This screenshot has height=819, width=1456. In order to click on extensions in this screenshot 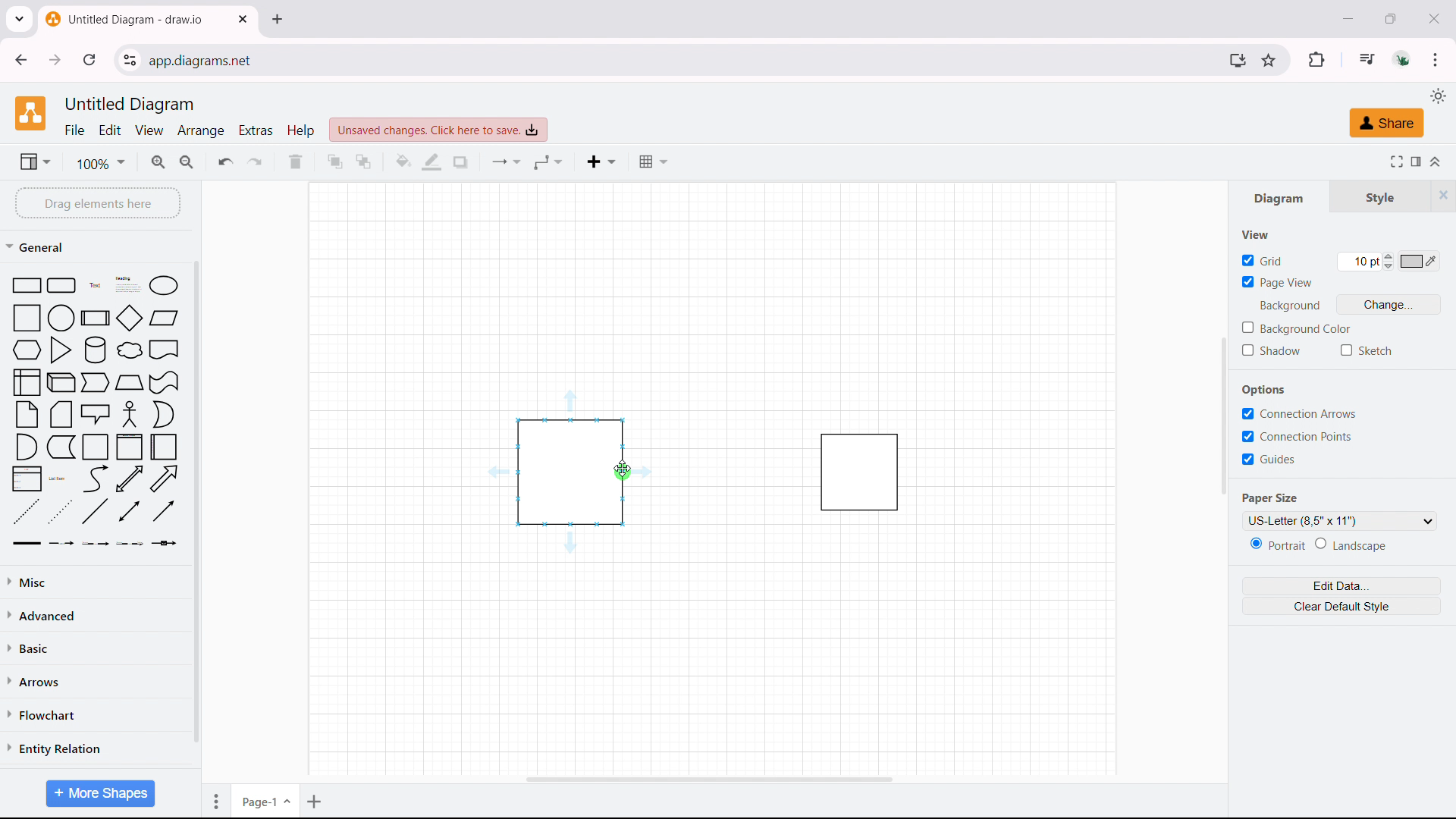, I will do `click(1316, 59)`.